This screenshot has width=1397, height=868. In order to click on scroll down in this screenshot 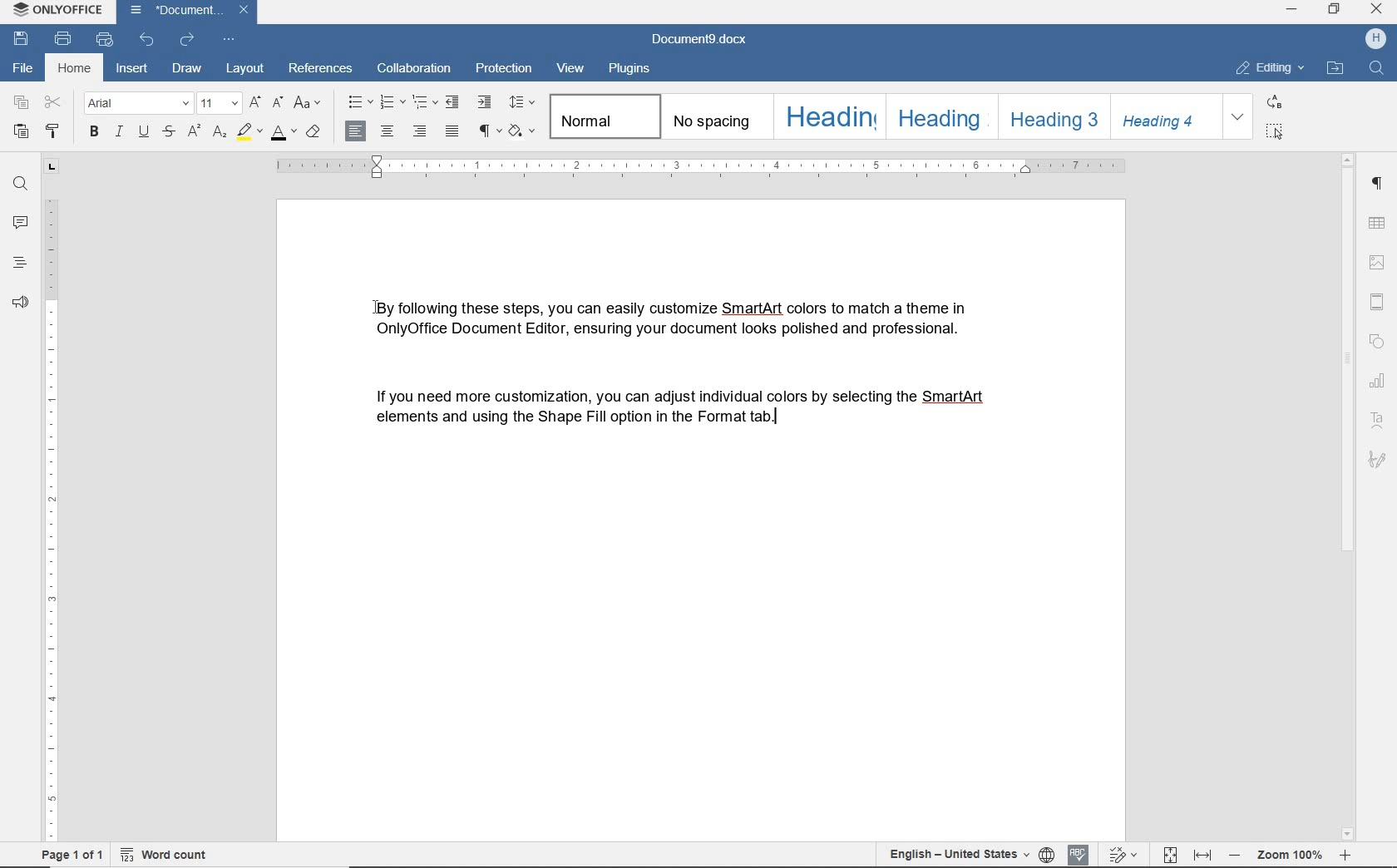, I will do `click(1345, 835)`.